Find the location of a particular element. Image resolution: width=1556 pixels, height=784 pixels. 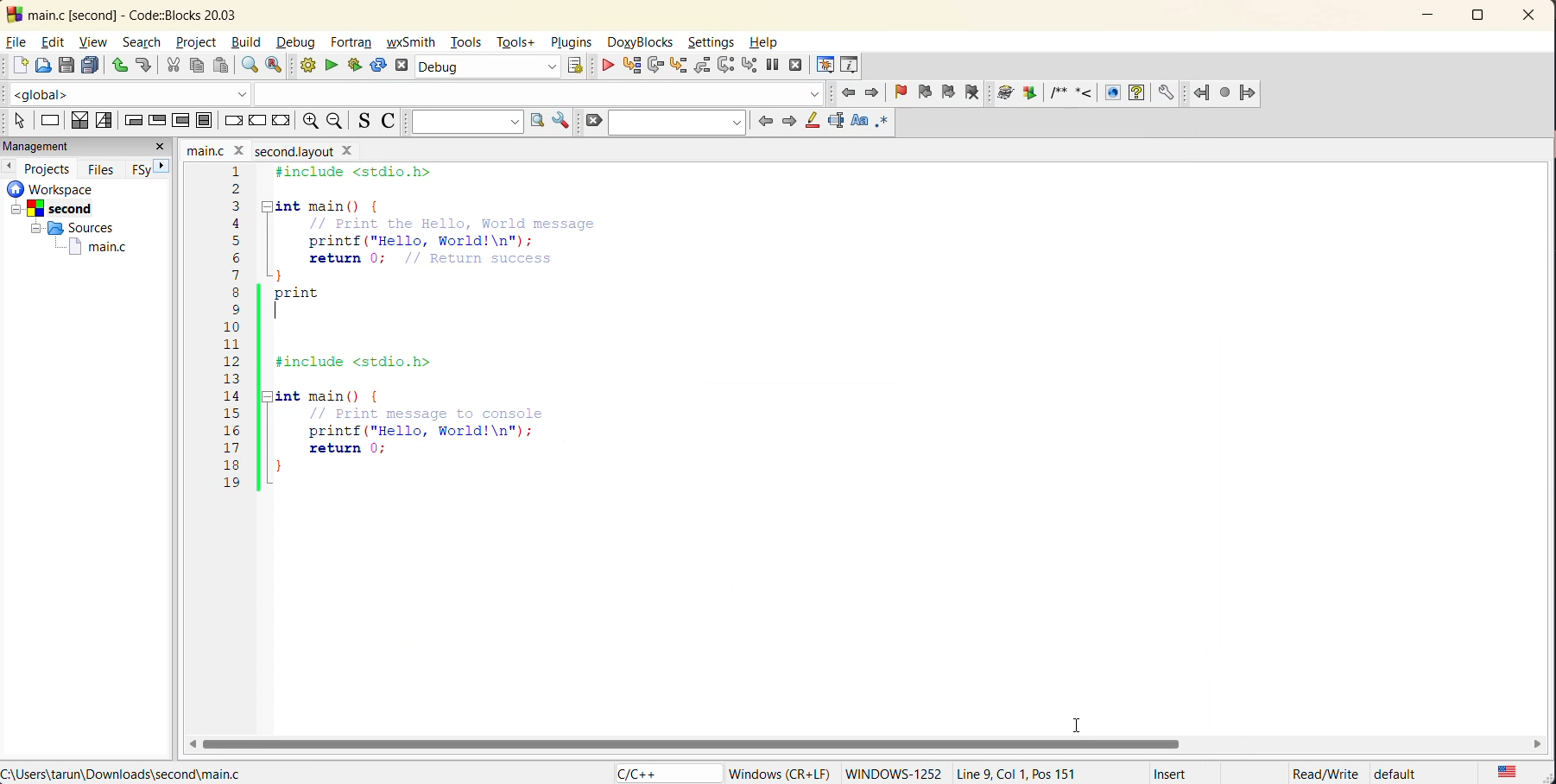

plugins is located at coordinates (572, 42).